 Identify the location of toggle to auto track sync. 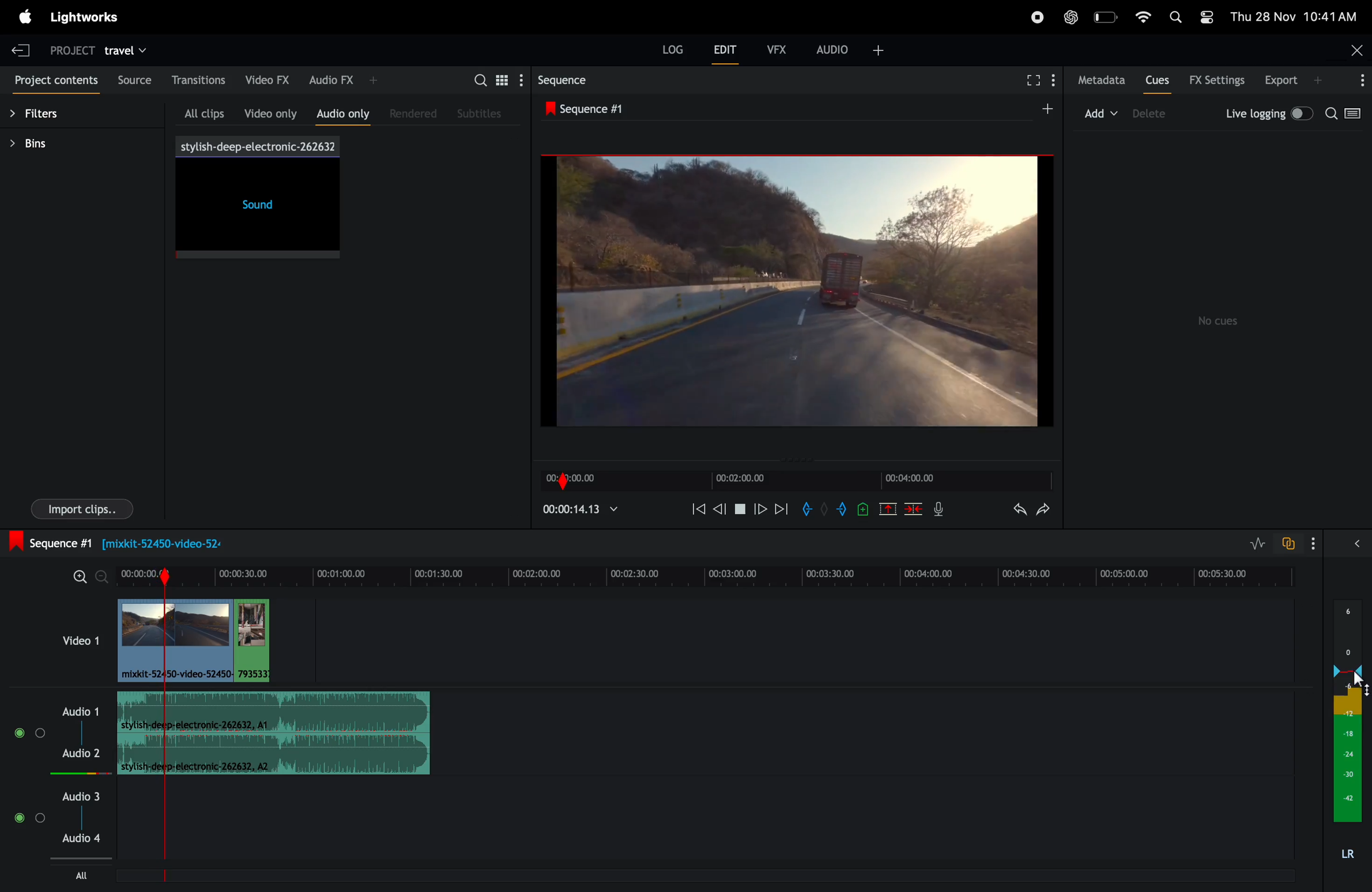
(1297, 542).